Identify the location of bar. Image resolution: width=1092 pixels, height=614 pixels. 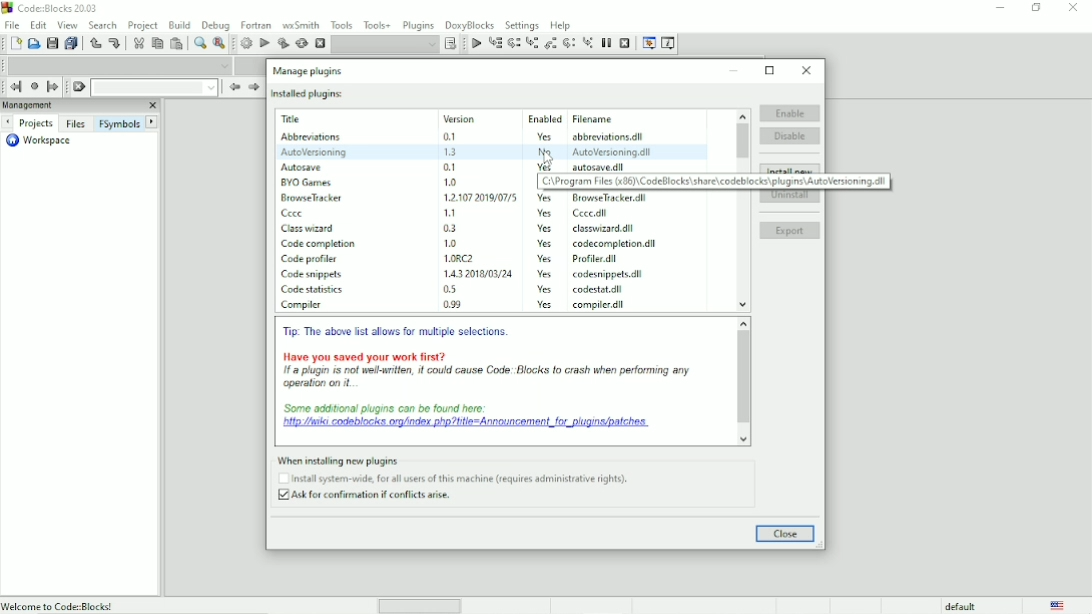
(420, 607).